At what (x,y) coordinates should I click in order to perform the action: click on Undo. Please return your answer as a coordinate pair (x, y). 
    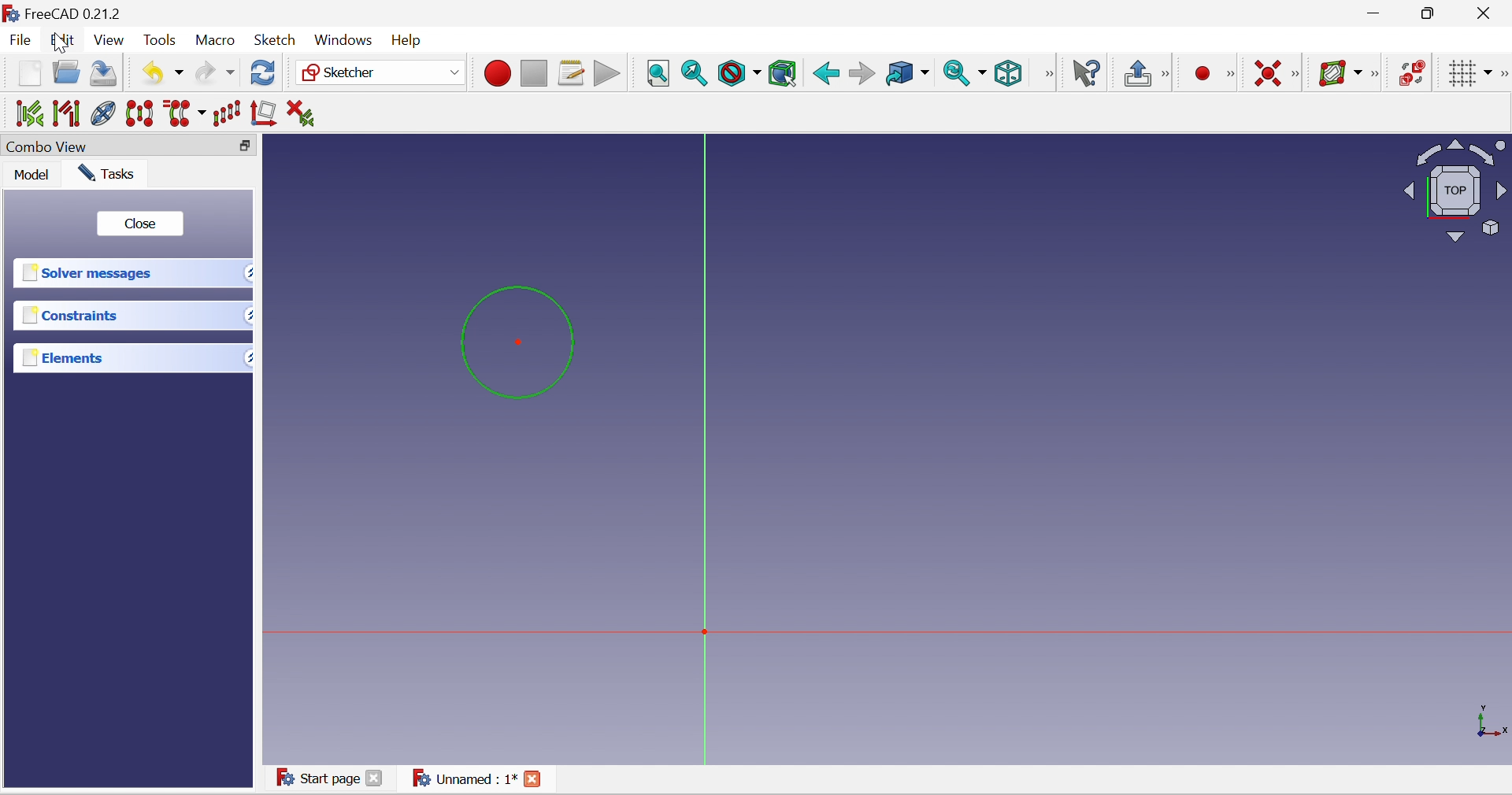
    Looking at the image, I should click on (160, 72).